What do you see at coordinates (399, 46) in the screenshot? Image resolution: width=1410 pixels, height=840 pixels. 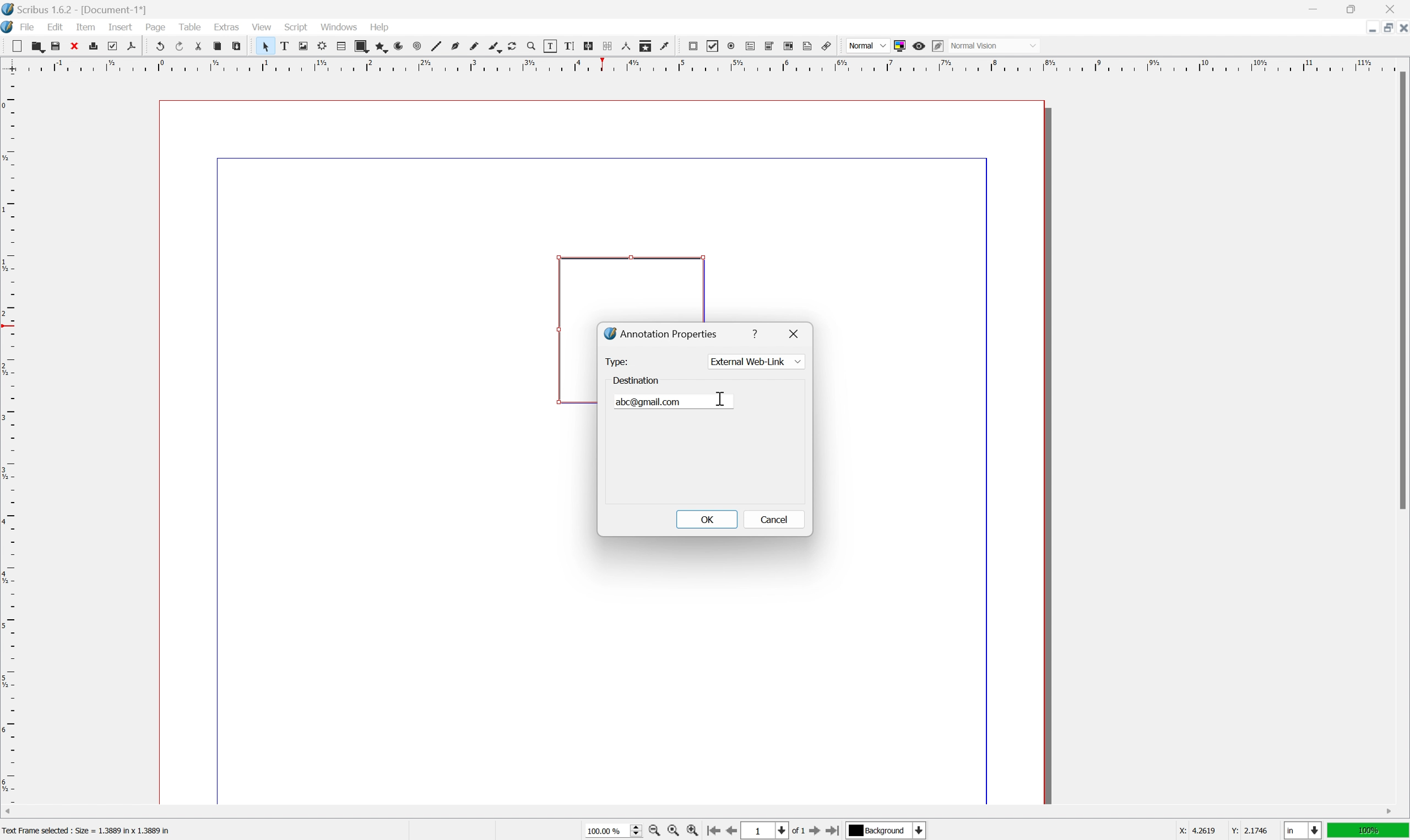 I see `arc` at bounding box center [399, 46].